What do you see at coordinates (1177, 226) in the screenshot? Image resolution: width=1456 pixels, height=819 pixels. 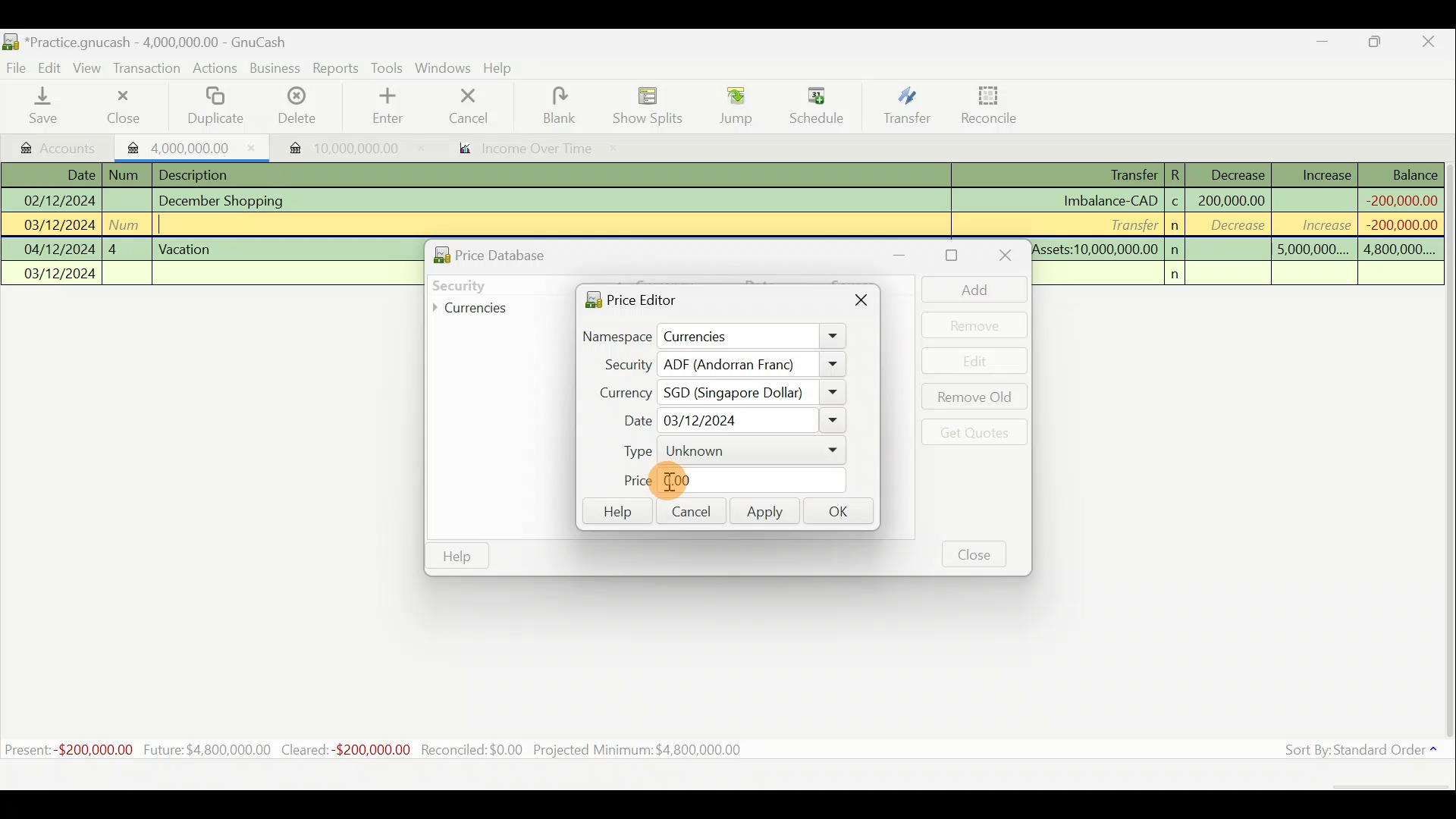 I see `n` at bounding box center [1177, 226].